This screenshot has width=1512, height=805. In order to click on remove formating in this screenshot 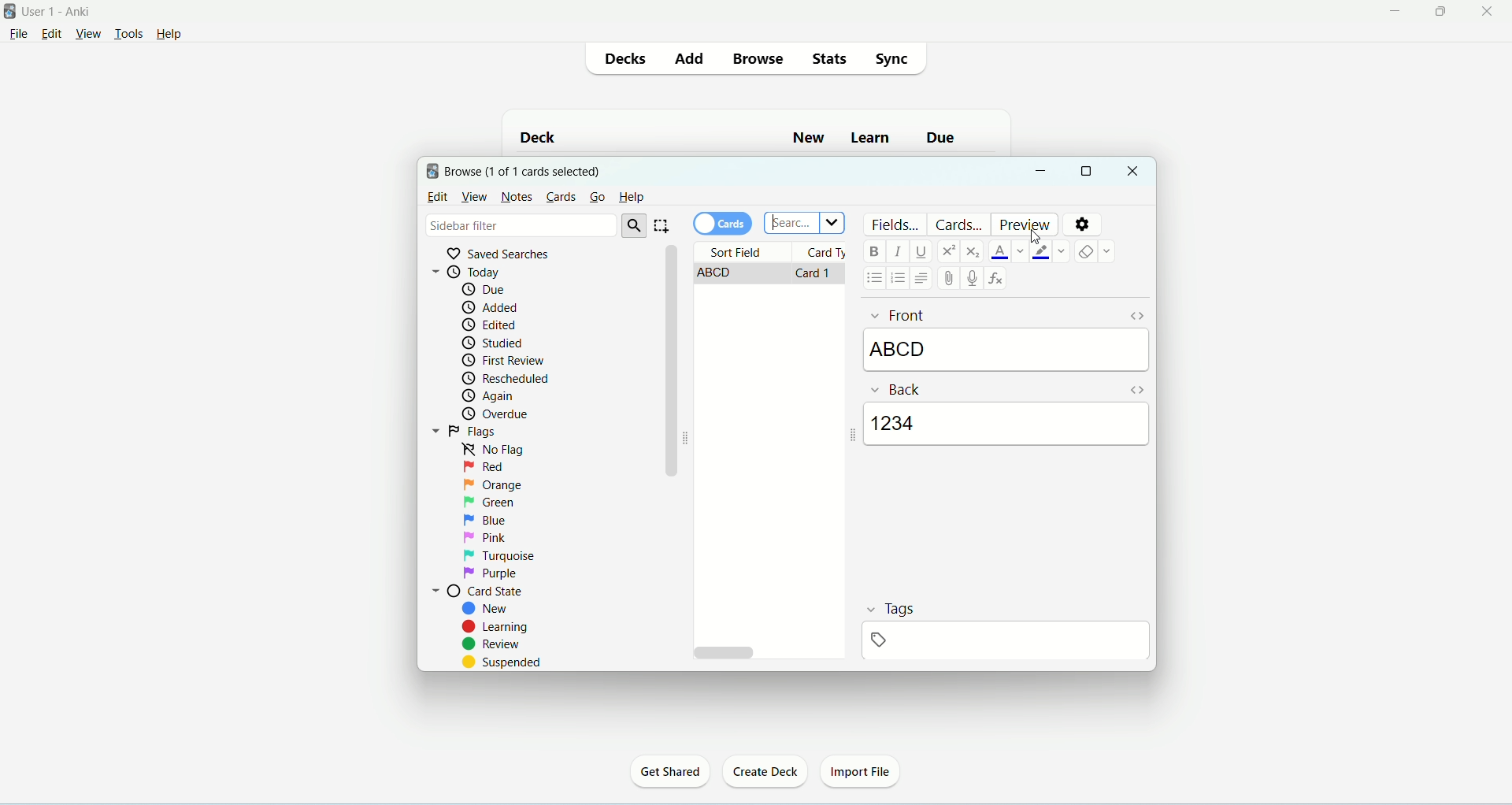, I will do `click(1095, 251)`.